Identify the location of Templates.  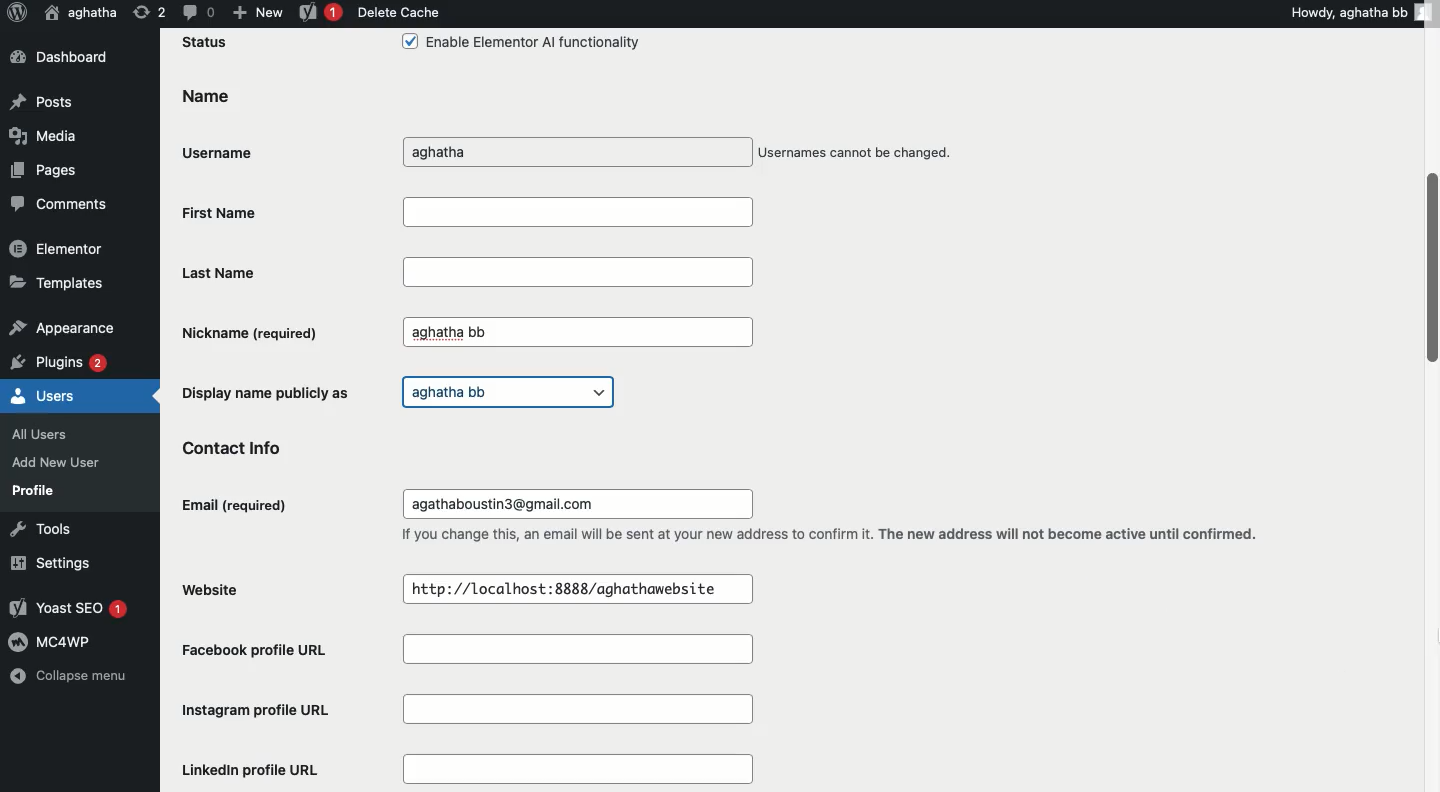
(58, 281).